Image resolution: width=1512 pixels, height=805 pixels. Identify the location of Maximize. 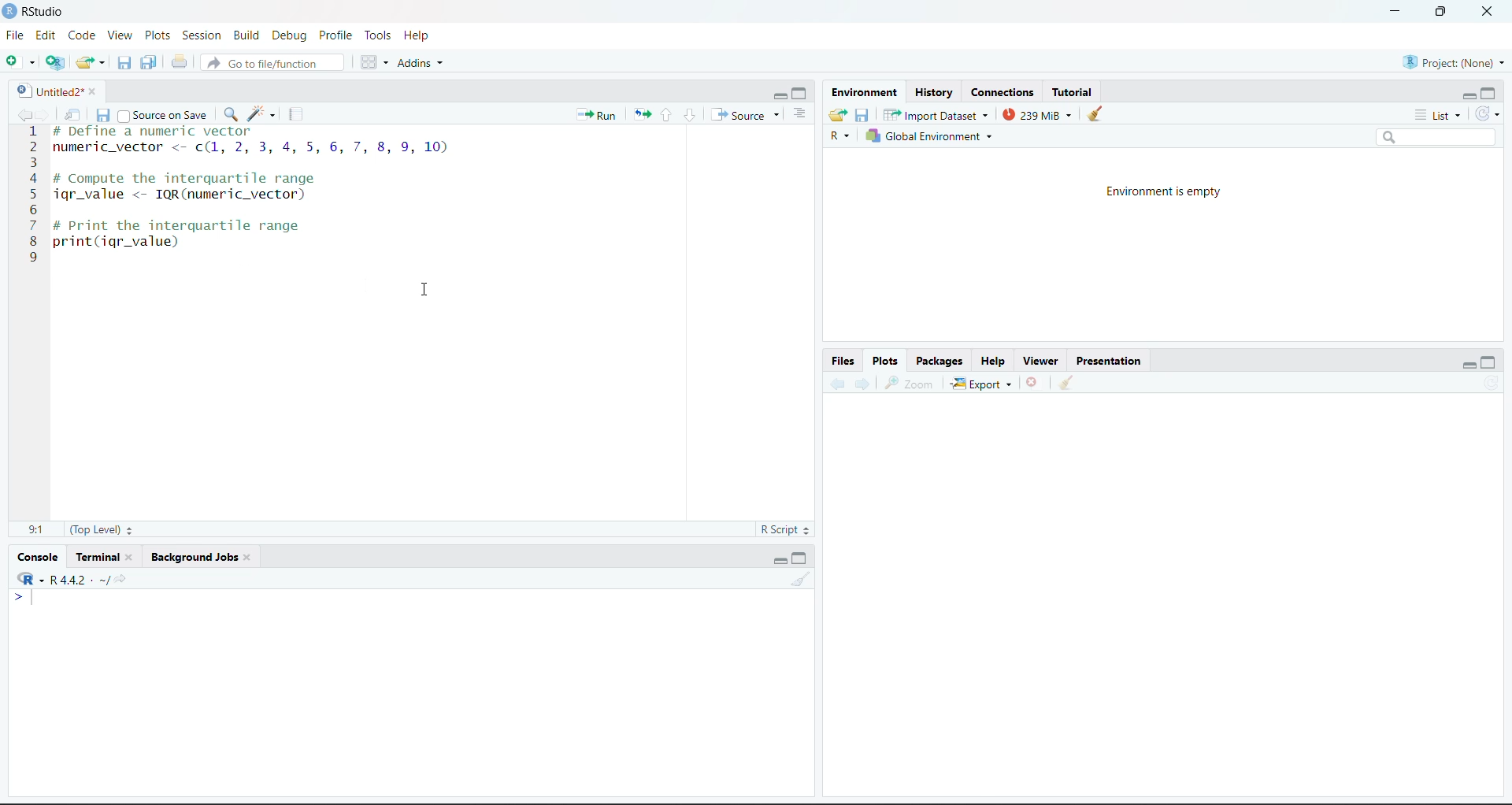
(802, 91).